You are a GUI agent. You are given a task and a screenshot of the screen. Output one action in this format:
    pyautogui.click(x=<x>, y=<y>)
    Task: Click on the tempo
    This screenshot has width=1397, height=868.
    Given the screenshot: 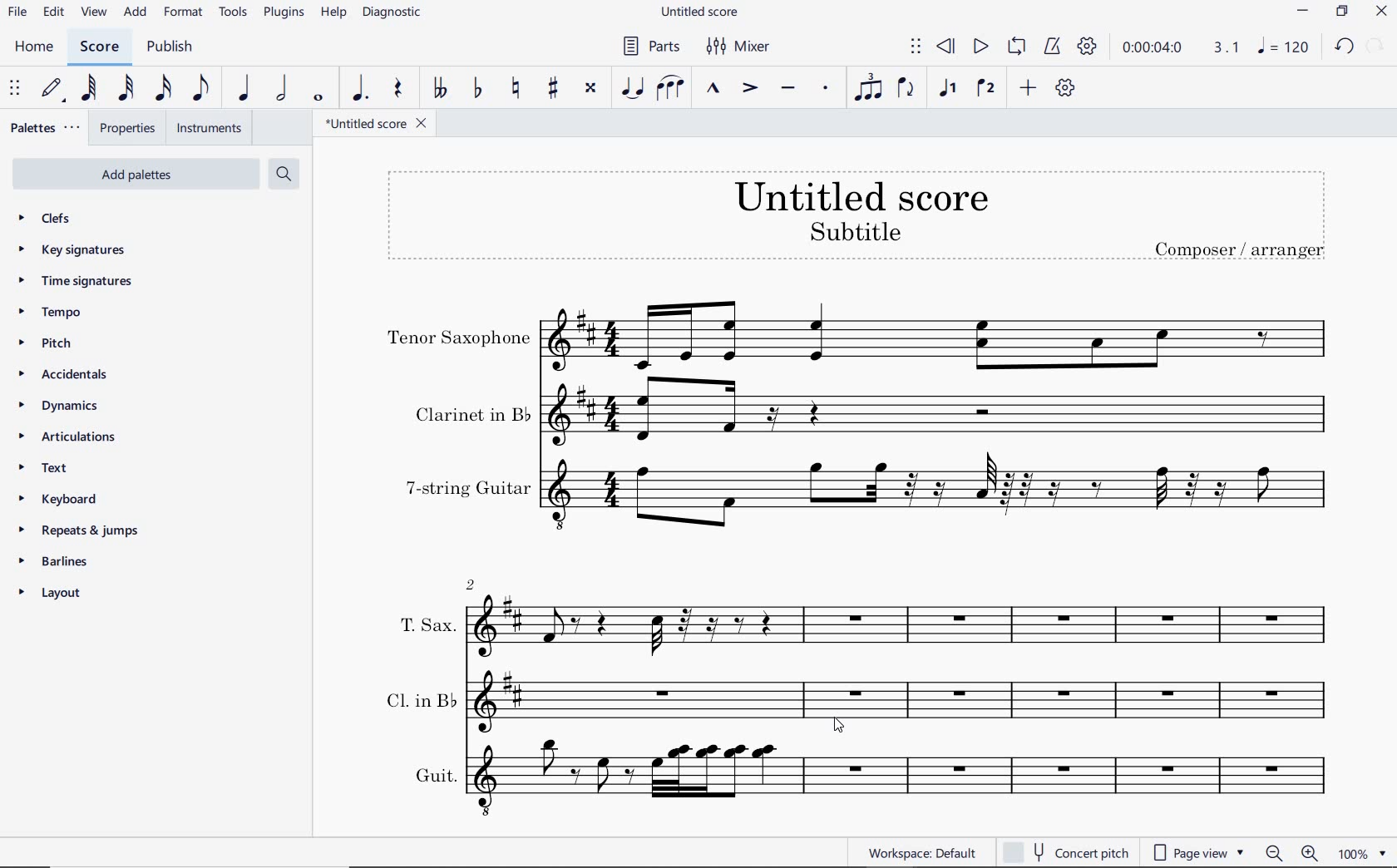 What is the action you would take?
    pyautogui.click(x=52, y=313)
    